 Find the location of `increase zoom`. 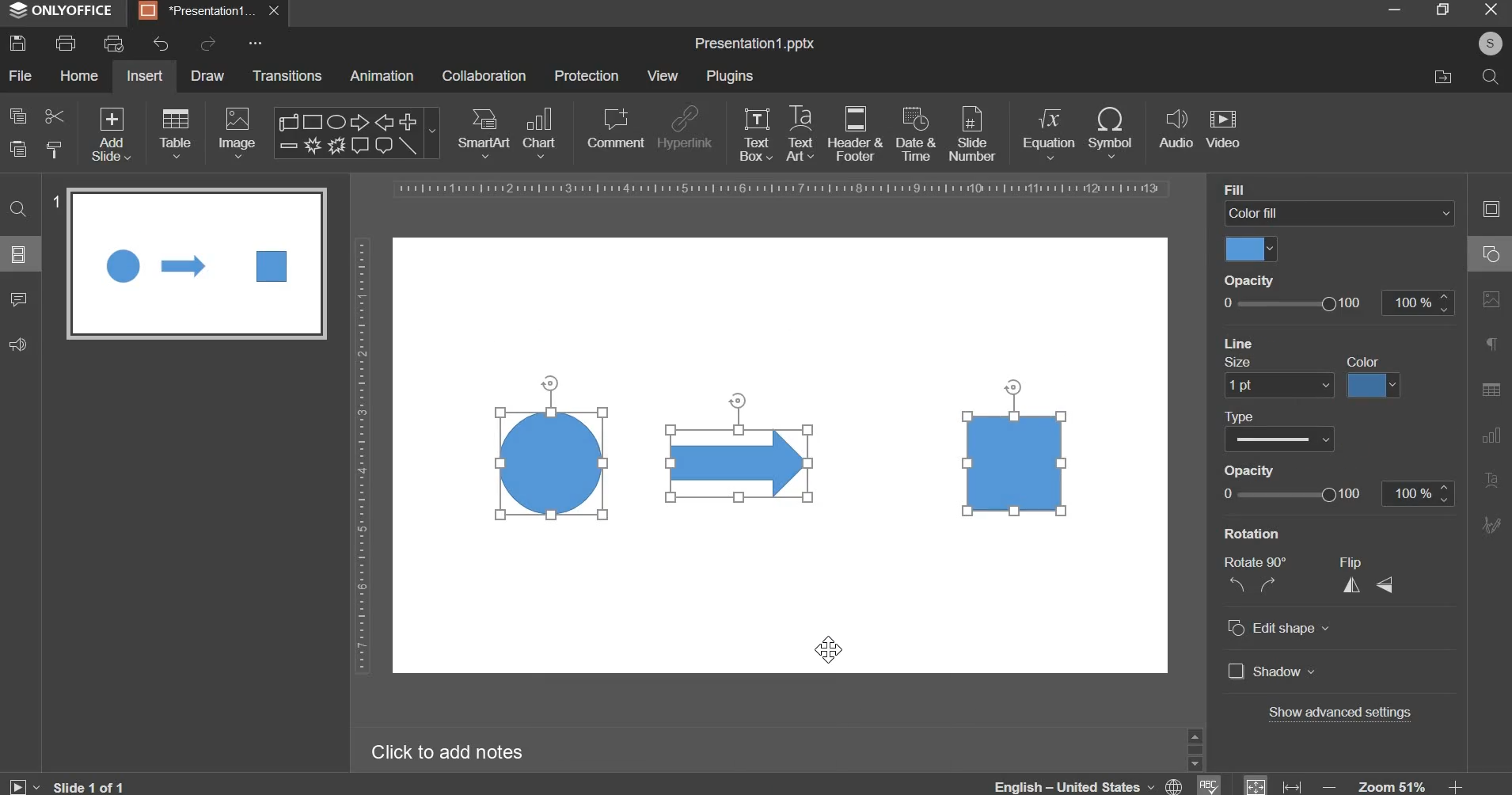

increase zoom is located at coordinates (1457, 785).